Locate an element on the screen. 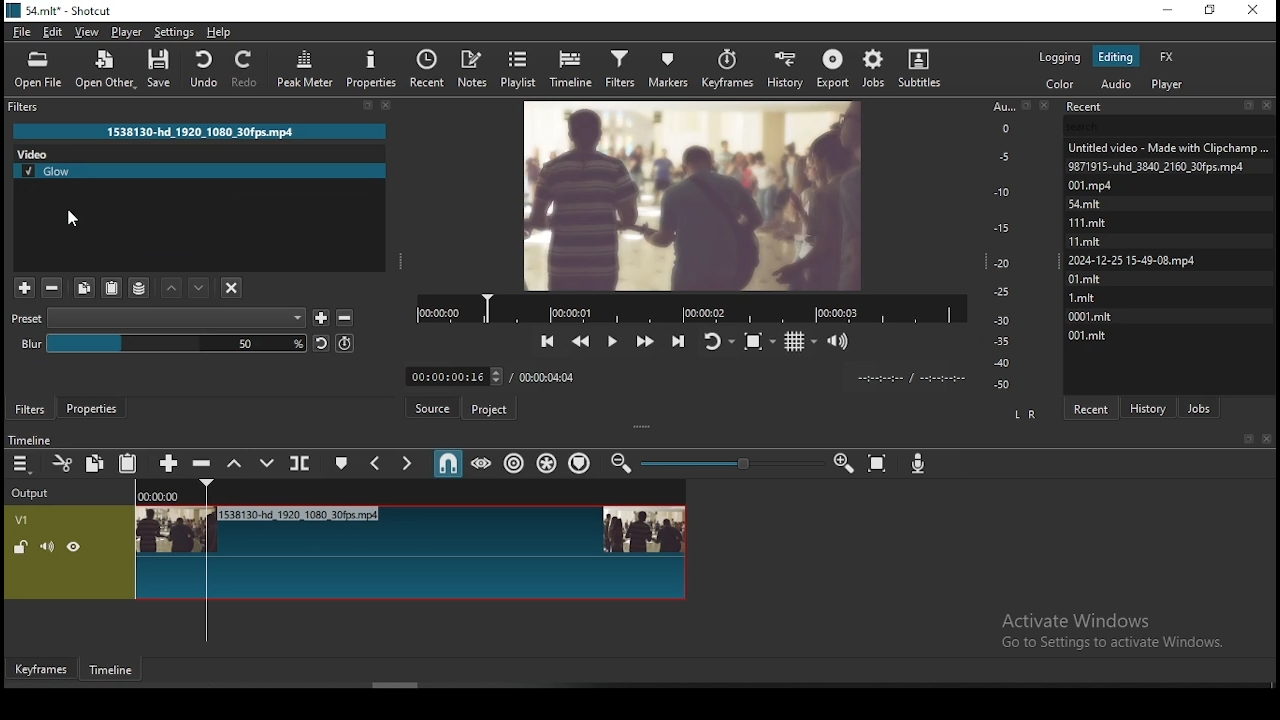 This screenshot has width=1280, height=720. edit is located at coordinates (54, 33).